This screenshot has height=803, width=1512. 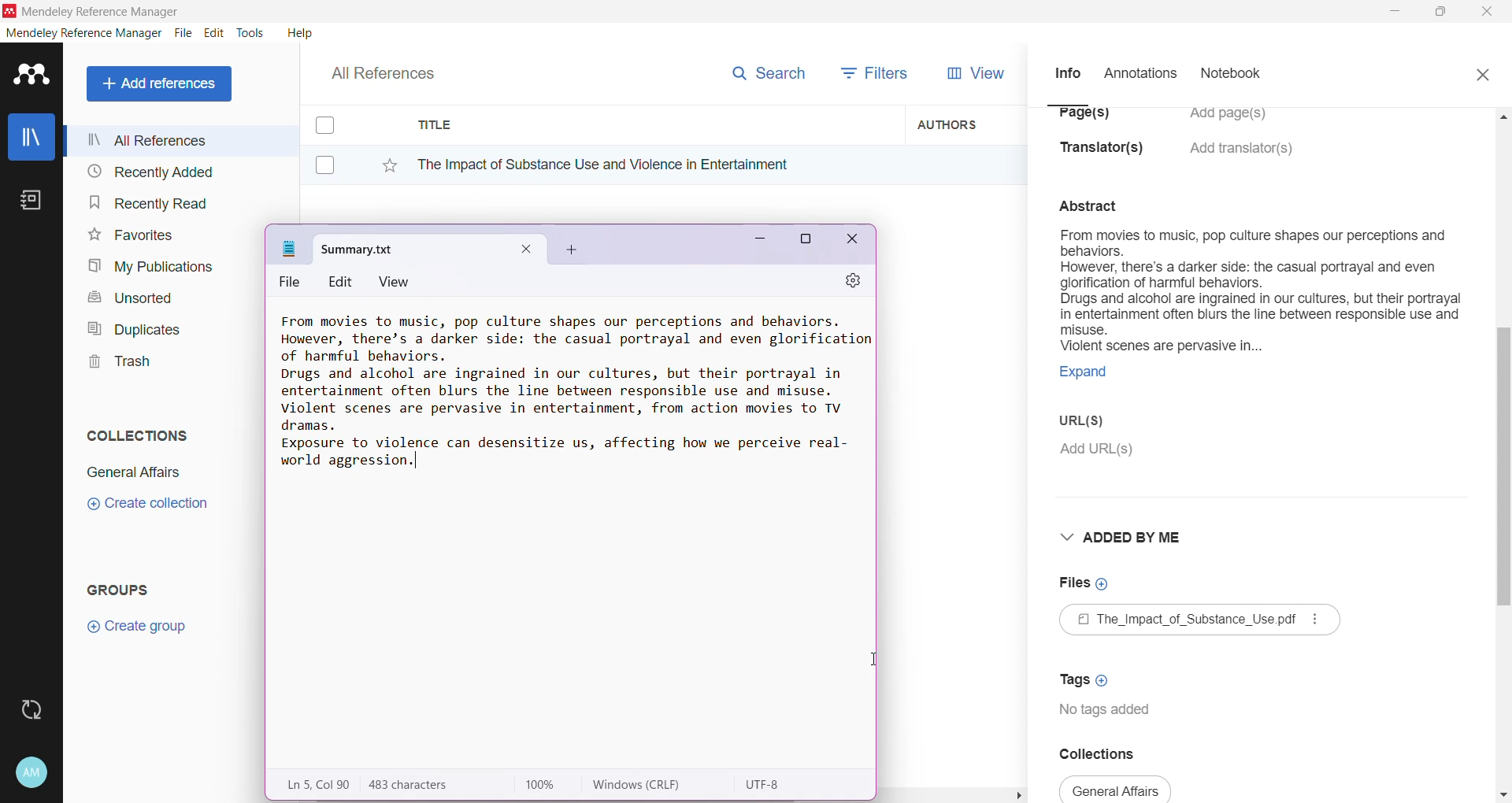 I want to click on Authors, so click(x=966, y=124).